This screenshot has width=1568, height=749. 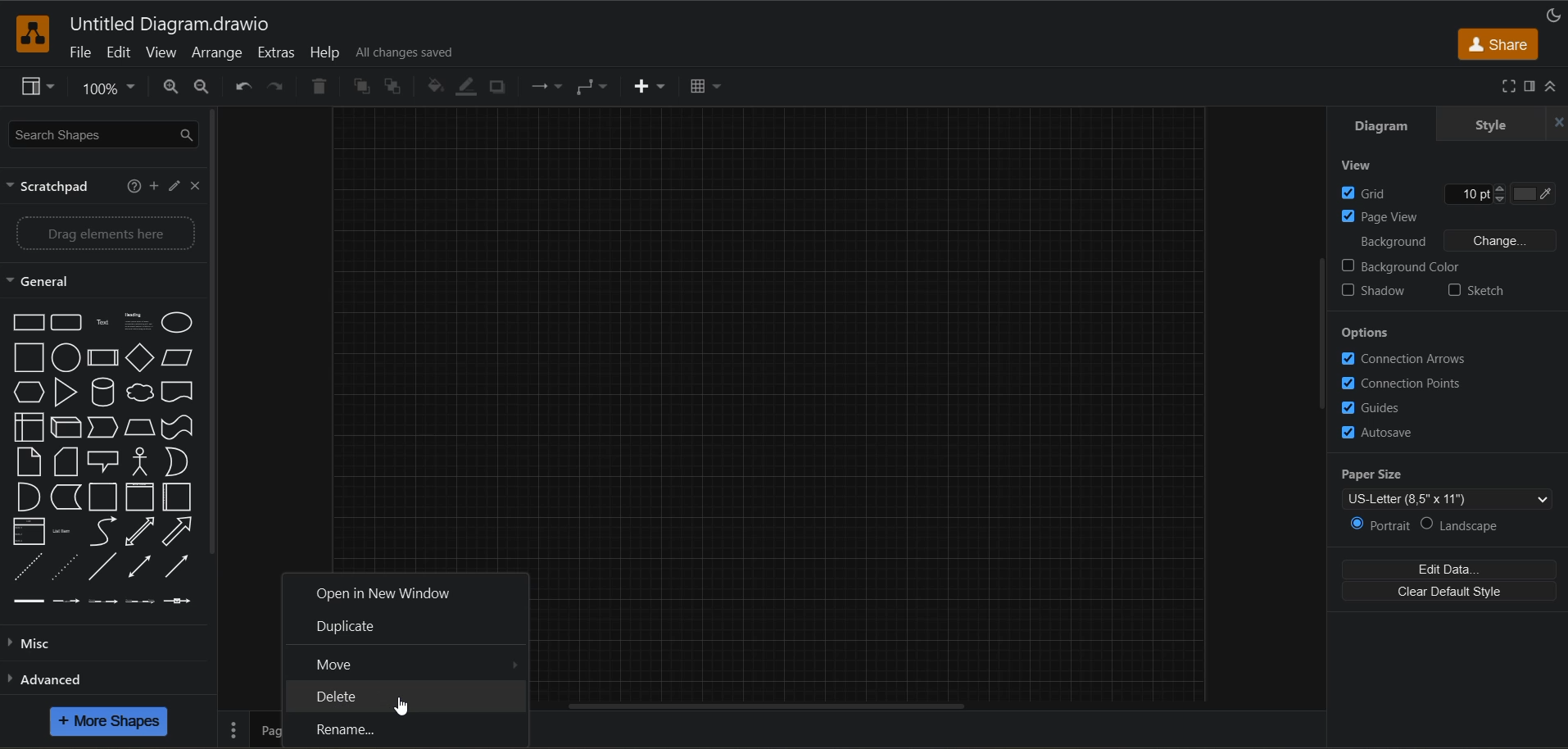 I want to click on guides, so click(x=1383, y=406).